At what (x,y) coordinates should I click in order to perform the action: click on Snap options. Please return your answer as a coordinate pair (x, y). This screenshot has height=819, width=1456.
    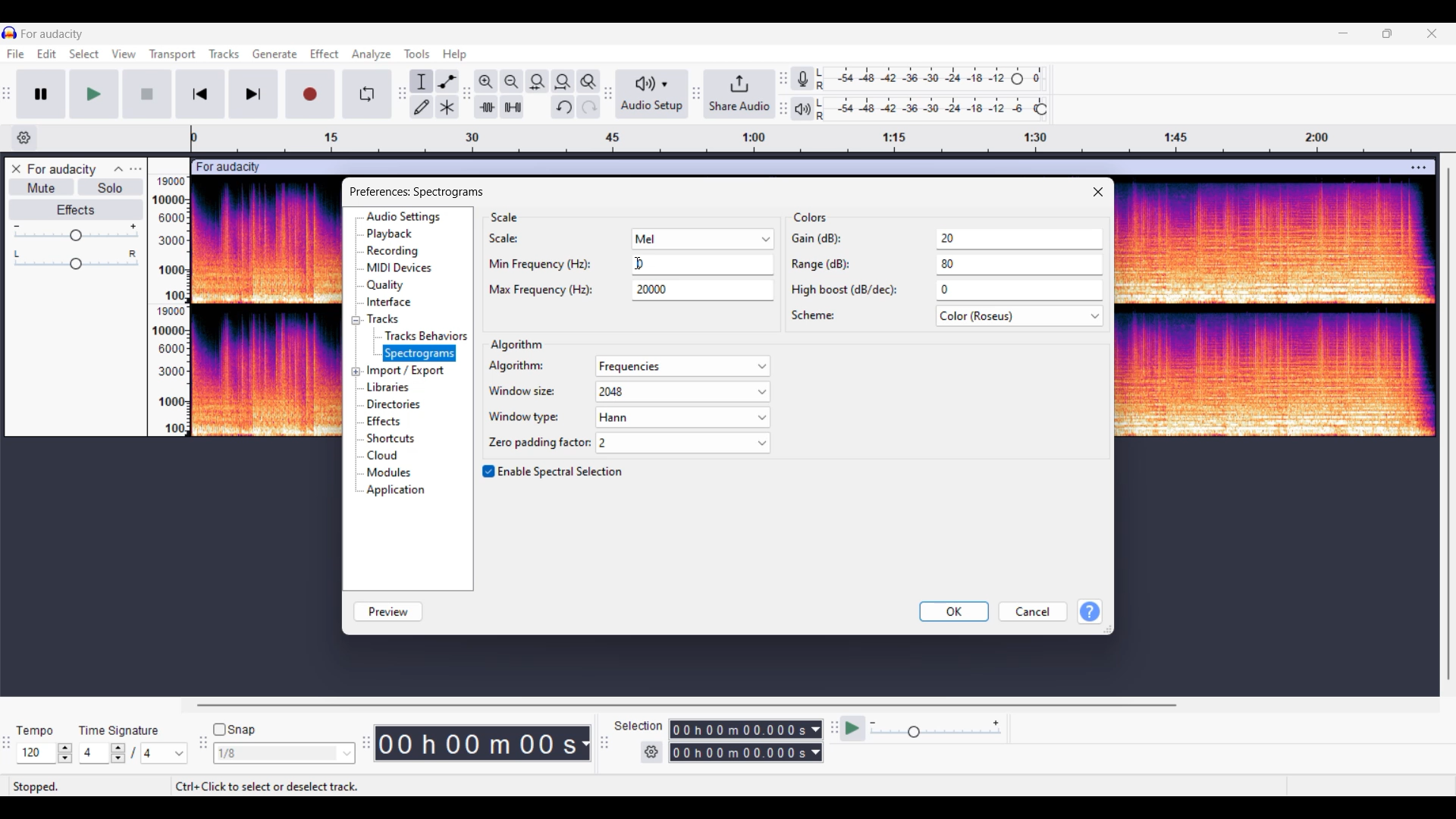
    Looking at the image, I should click on (284, 753).